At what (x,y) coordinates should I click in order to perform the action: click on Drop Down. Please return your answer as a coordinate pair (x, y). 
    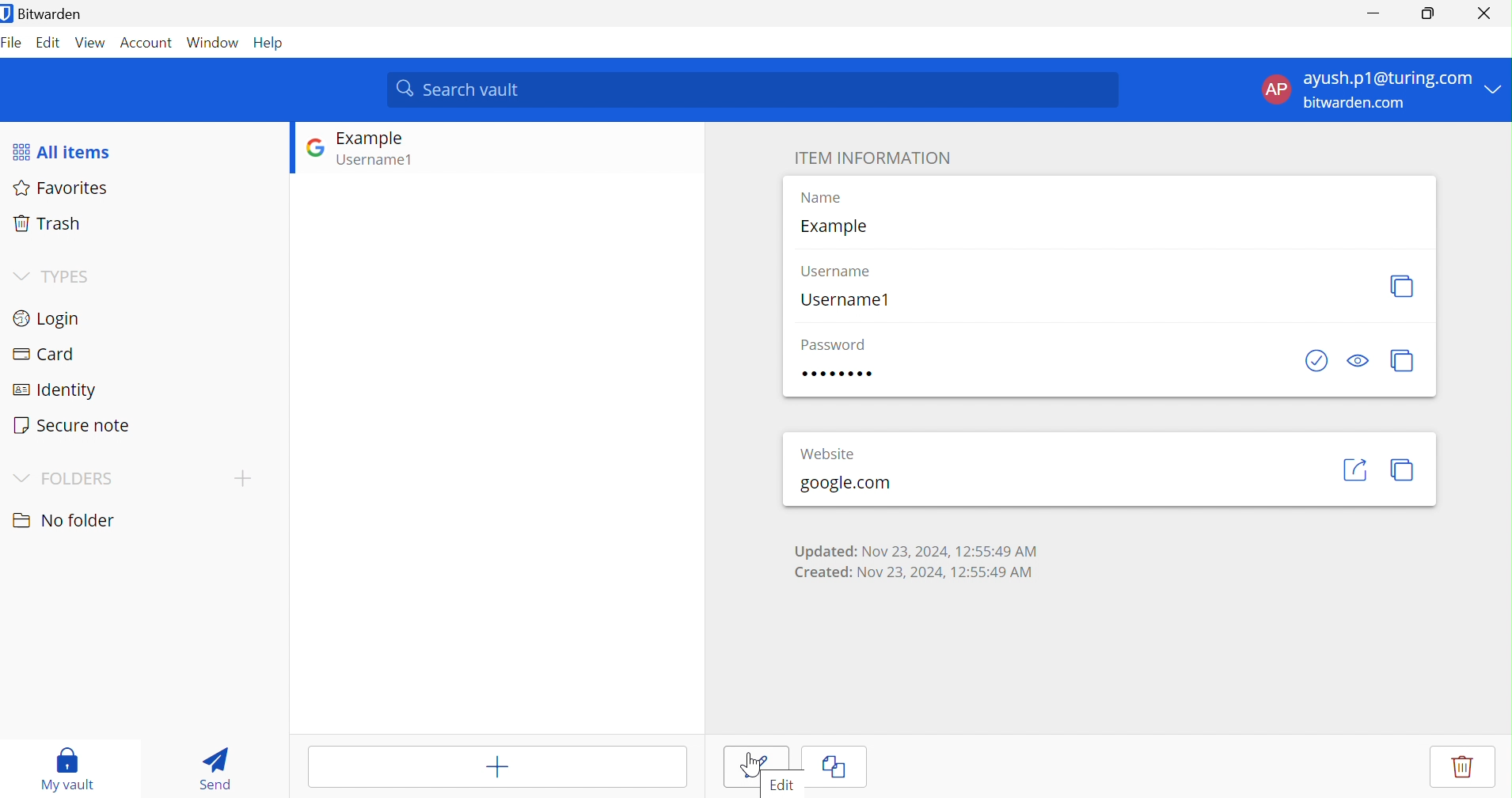
    Looking at the image, I should click on (18, 475).